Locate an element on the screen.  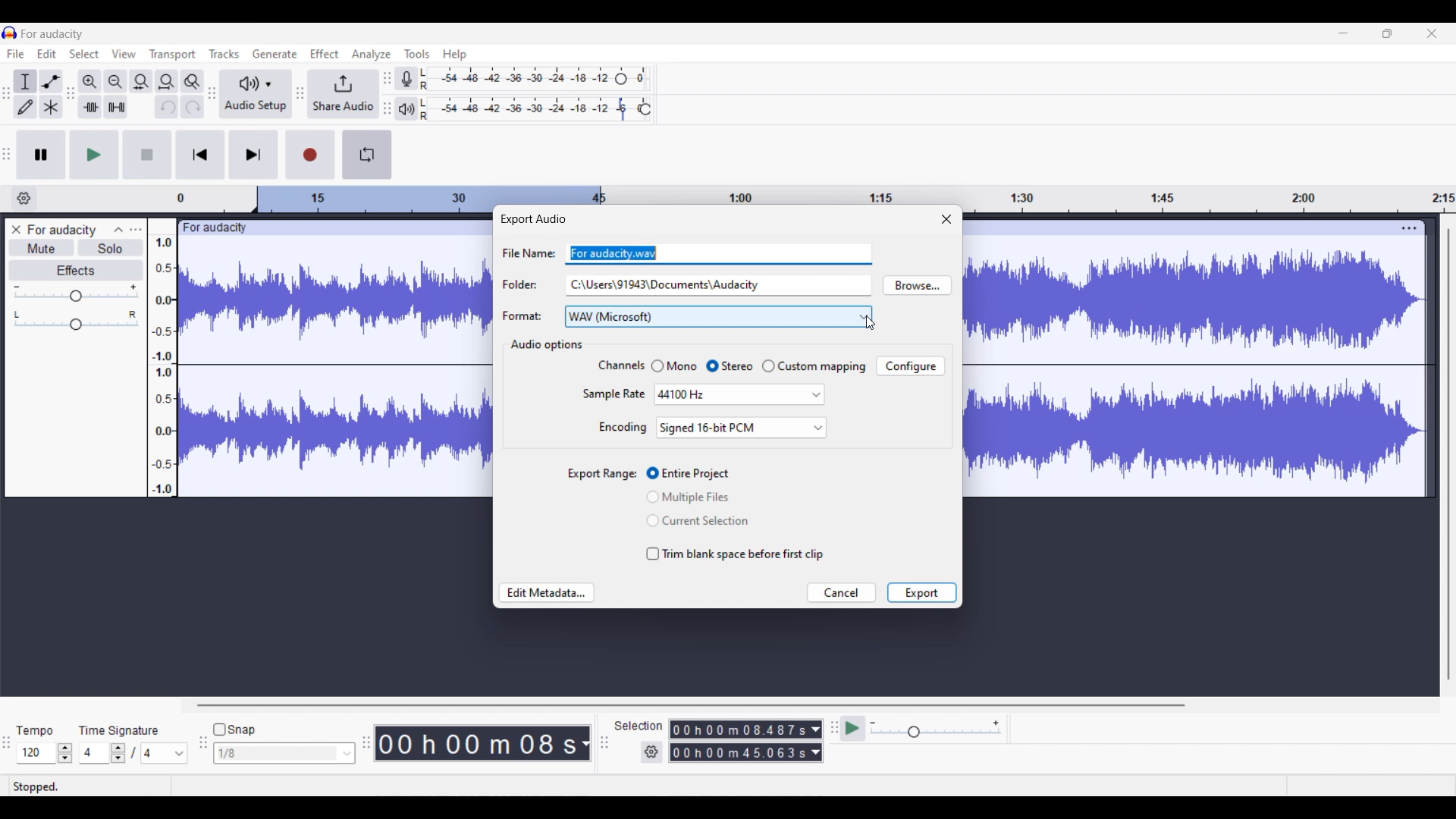
Vertical slide bar is located at coordinates (1449, 454).